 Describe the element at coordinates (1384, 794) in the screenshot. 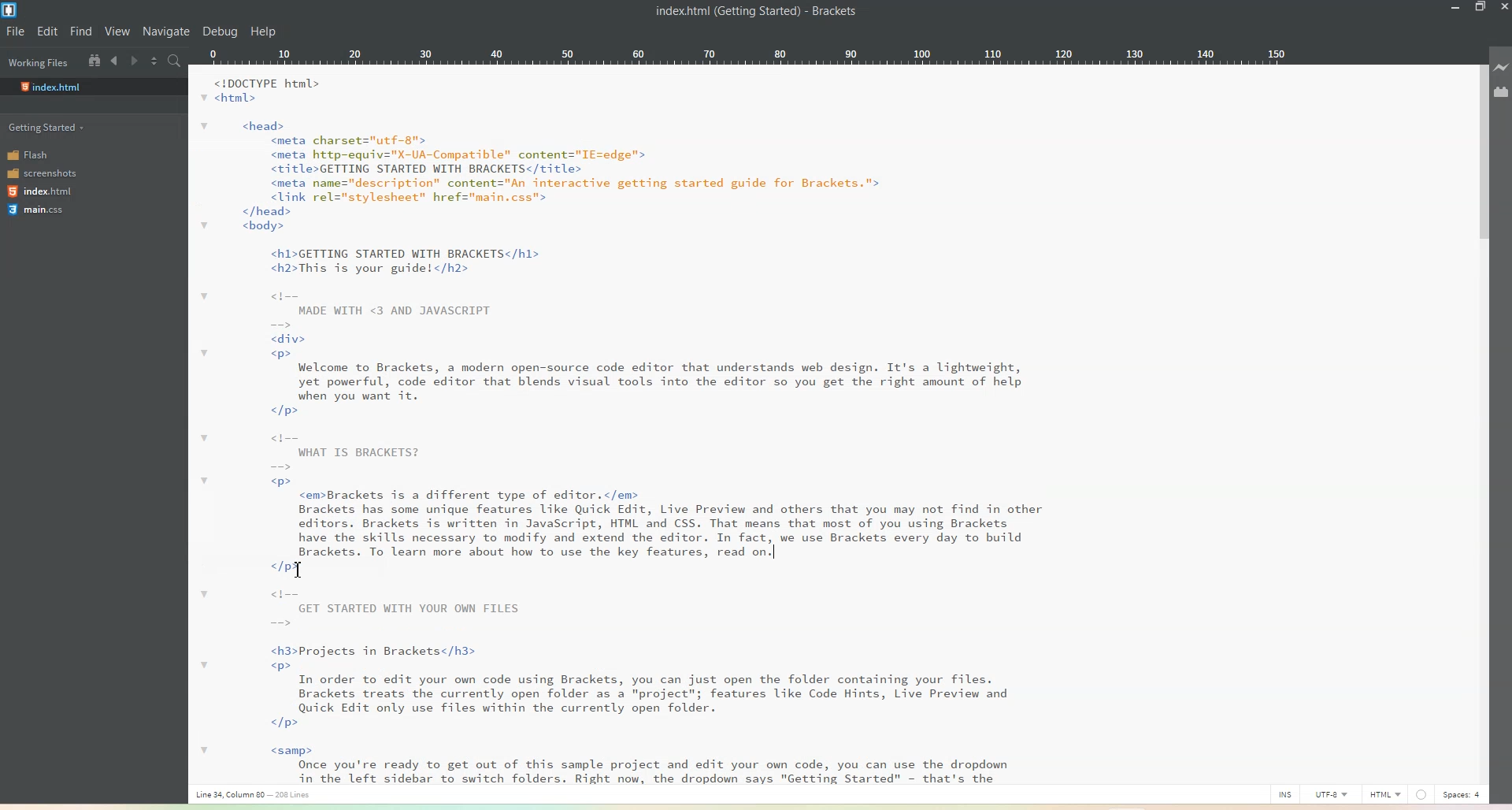

I see `HTML` at that location.